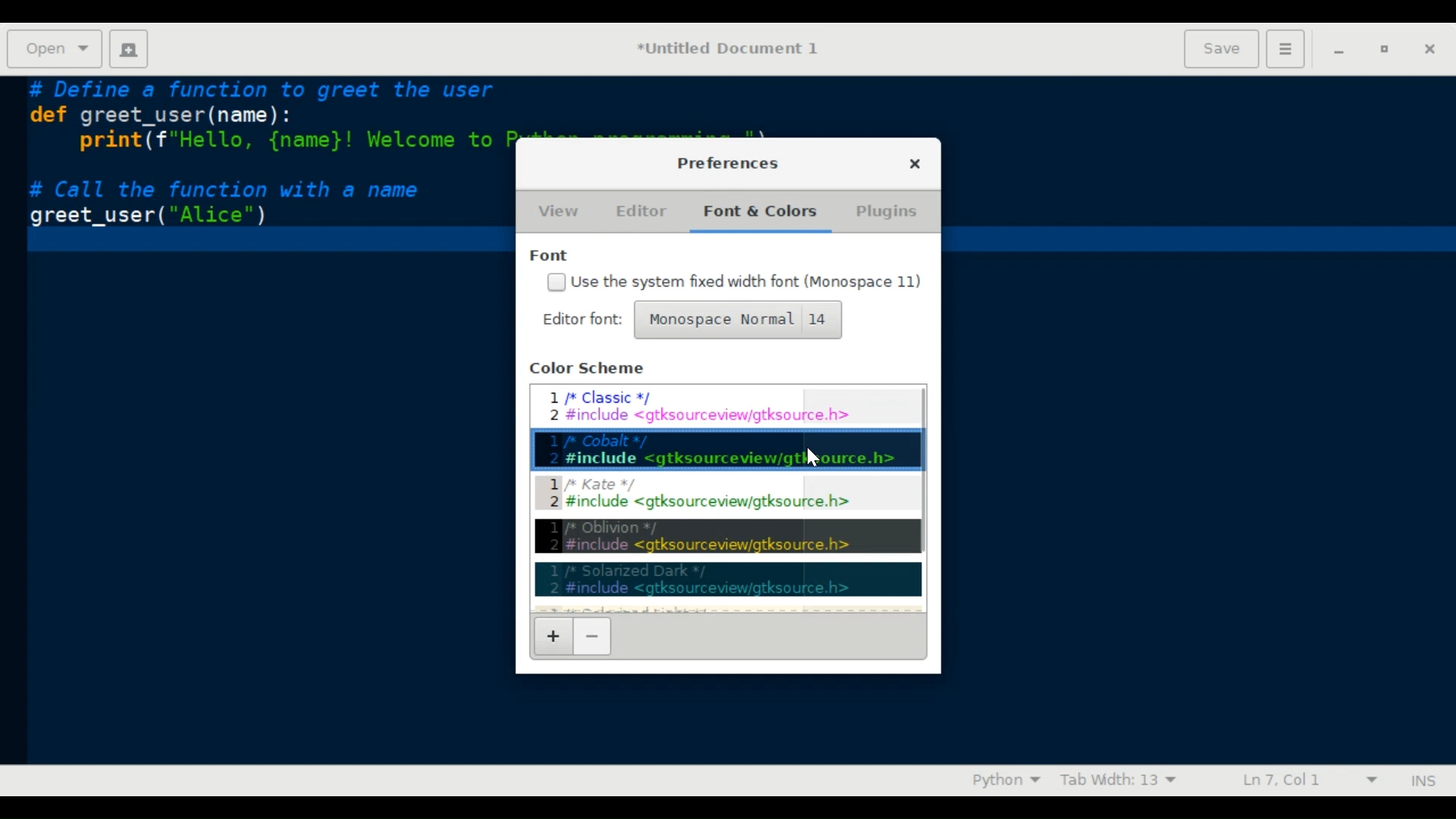 The height and width of the screenshot is (819, 1456). I want to click on Classic, so click(729, 404).